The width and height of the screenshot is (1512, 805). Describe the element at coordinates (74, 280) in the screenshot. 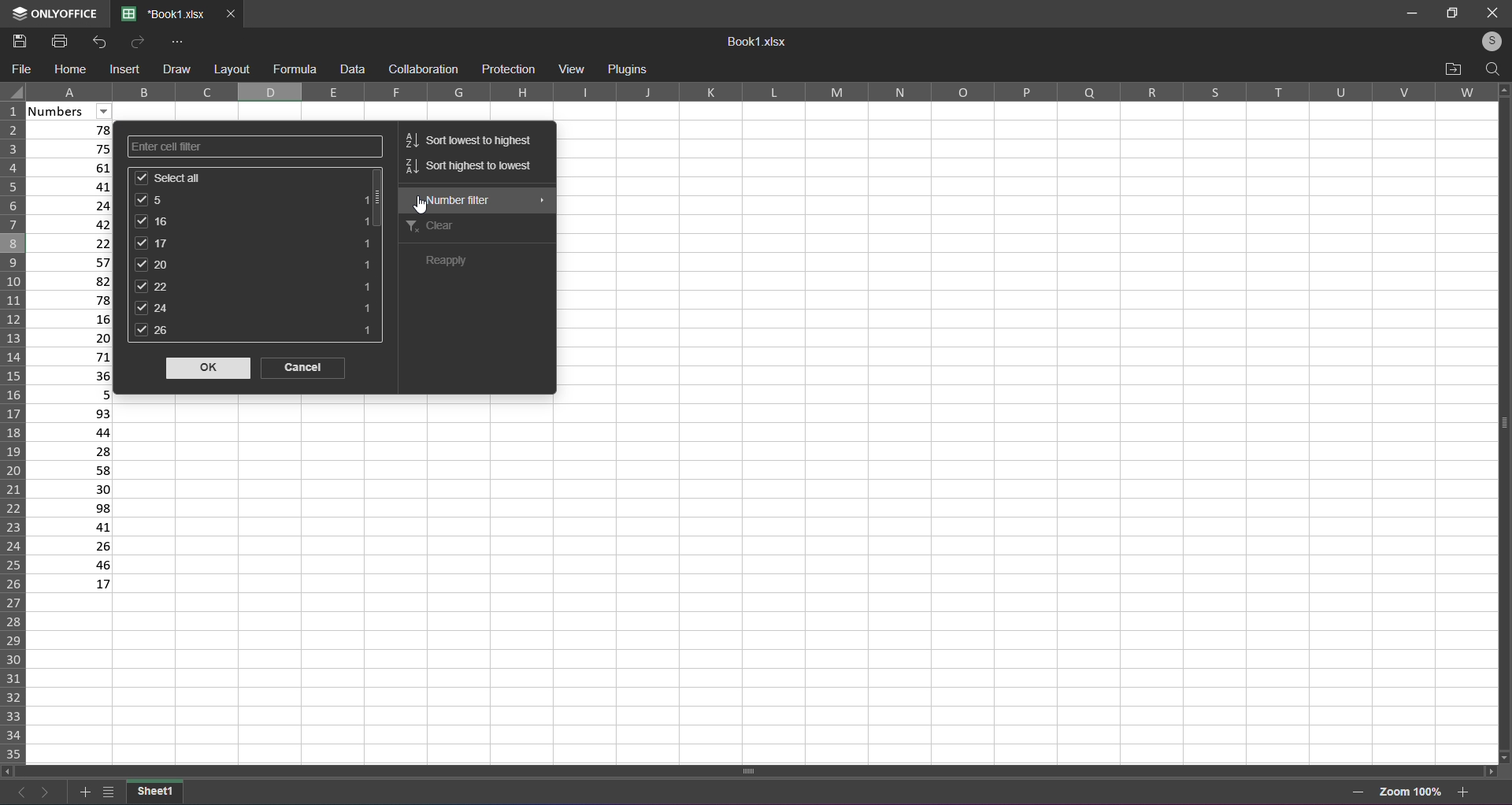

I see `82` at that location.